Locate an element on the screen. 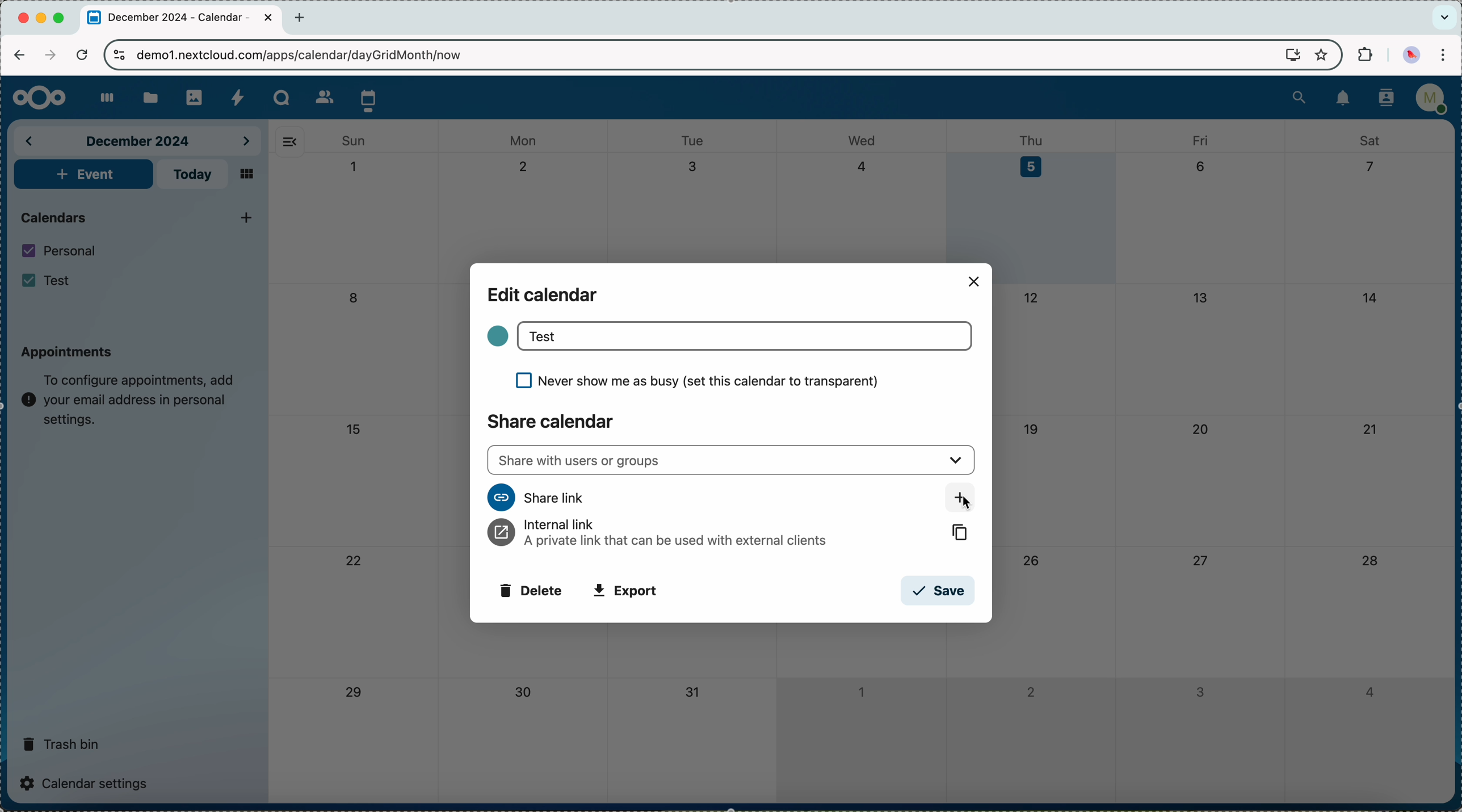 The height and width of the screenshot is (812, 1462). extensions is located at coordinates (1363, 56).